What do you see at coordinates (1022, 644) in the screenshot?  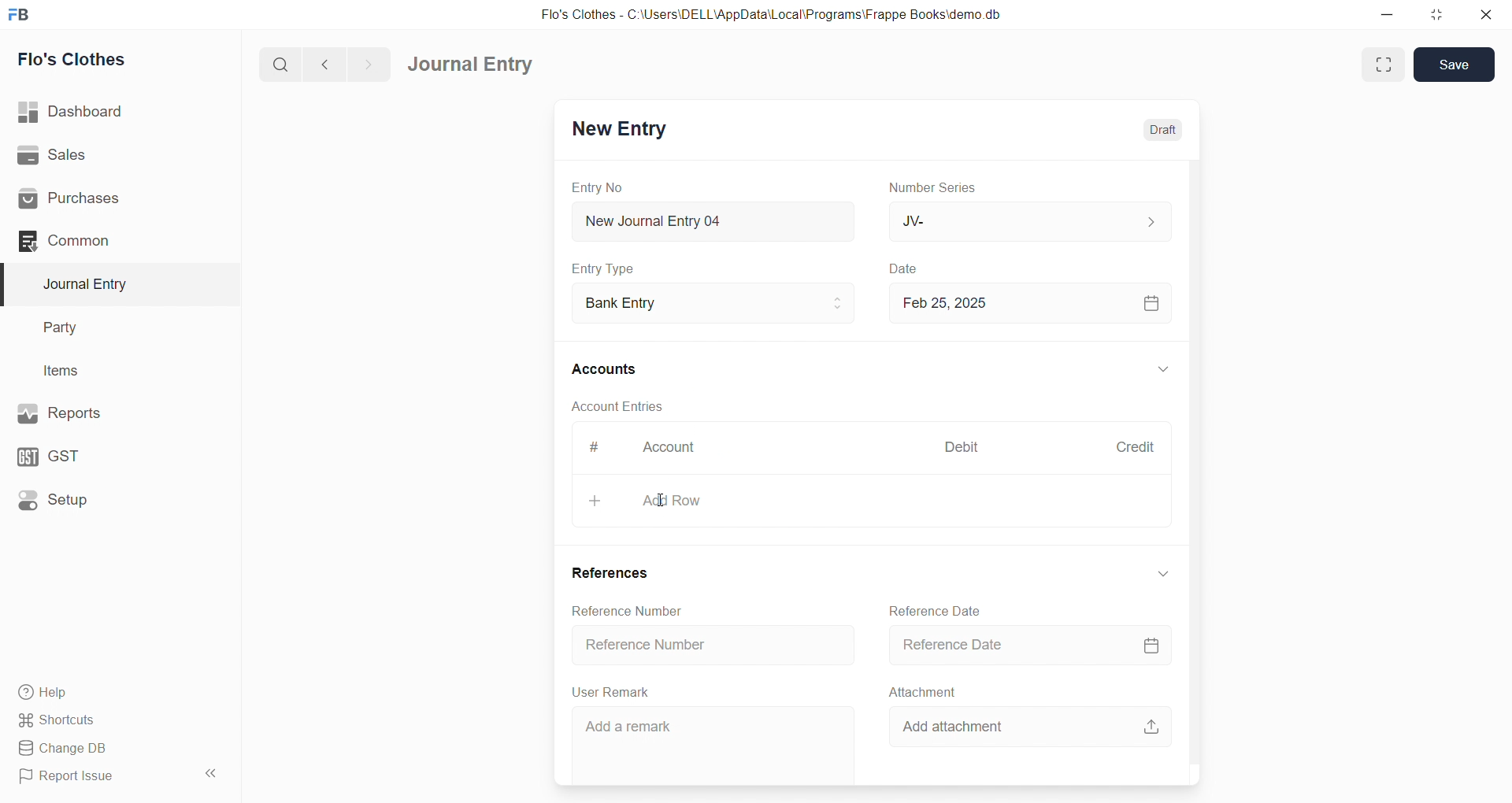 I see `Reference Date` at bounding box center [1022, 644].